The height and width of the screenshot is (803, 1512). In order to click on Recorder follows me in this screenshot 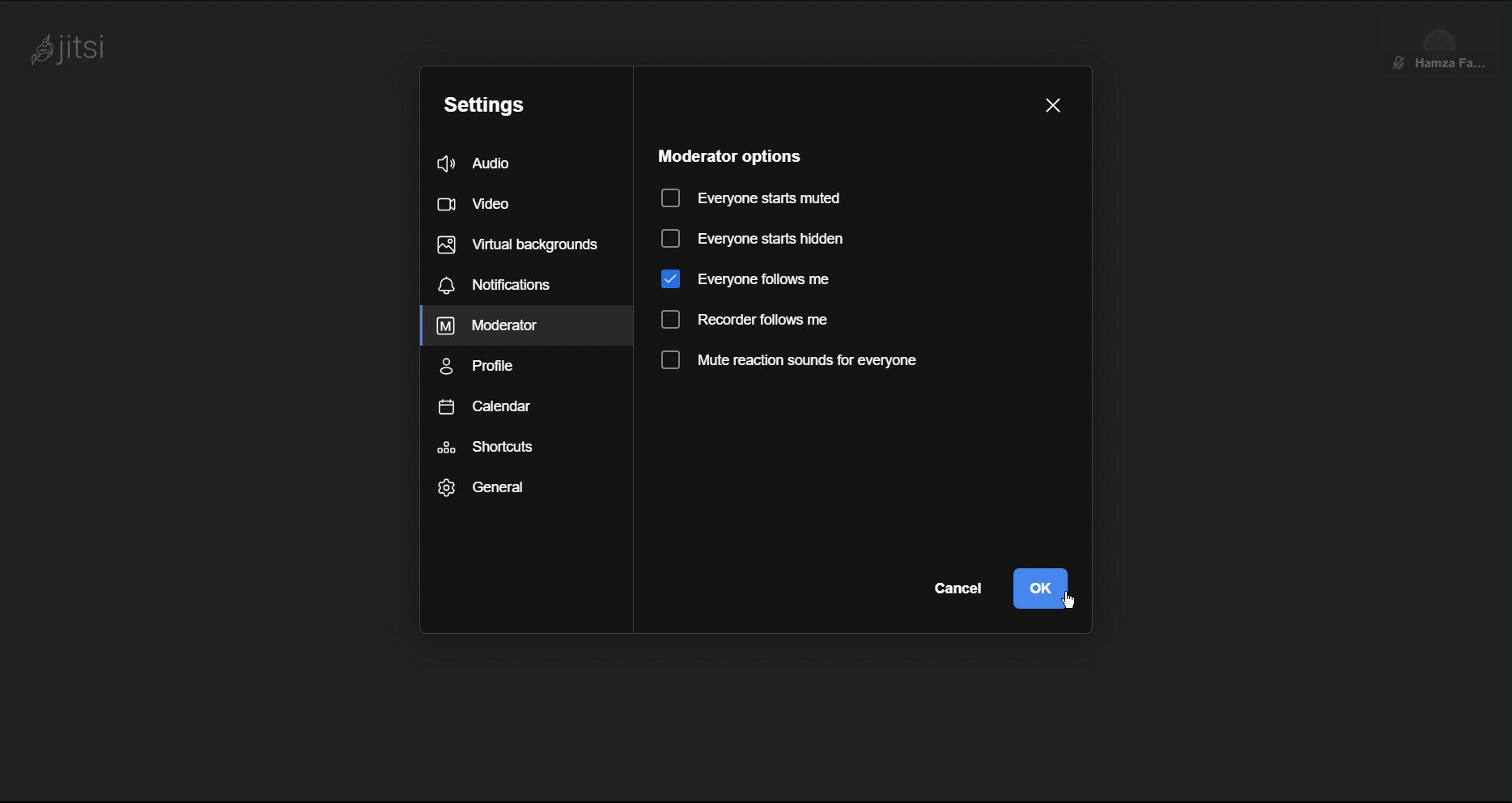, I will do `click(749, 321)`.